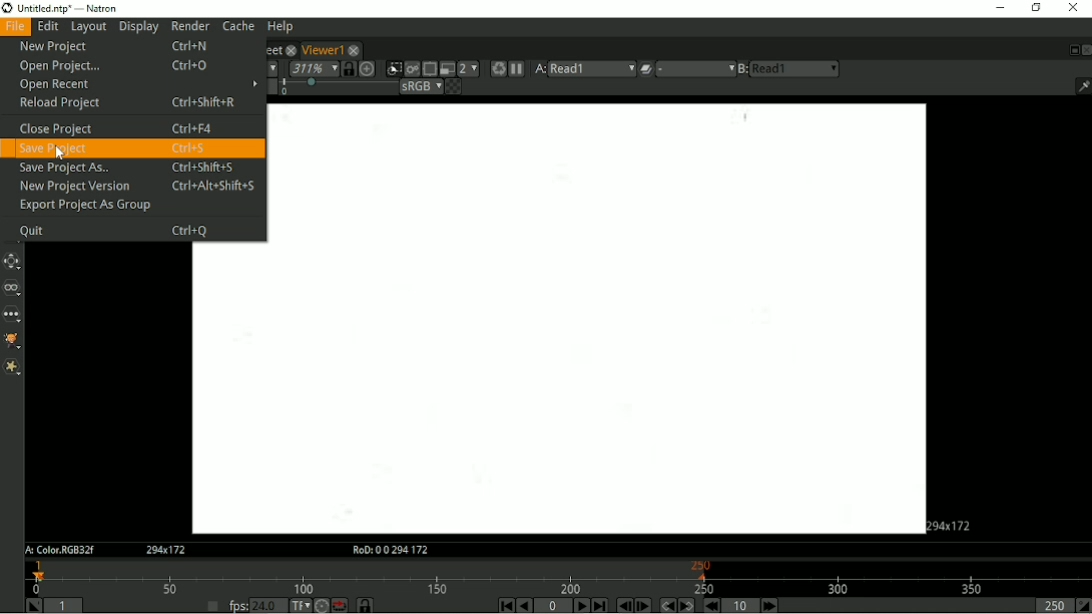 The image size is (1092, 614). I want to click on Scale image, so click(367, 70).